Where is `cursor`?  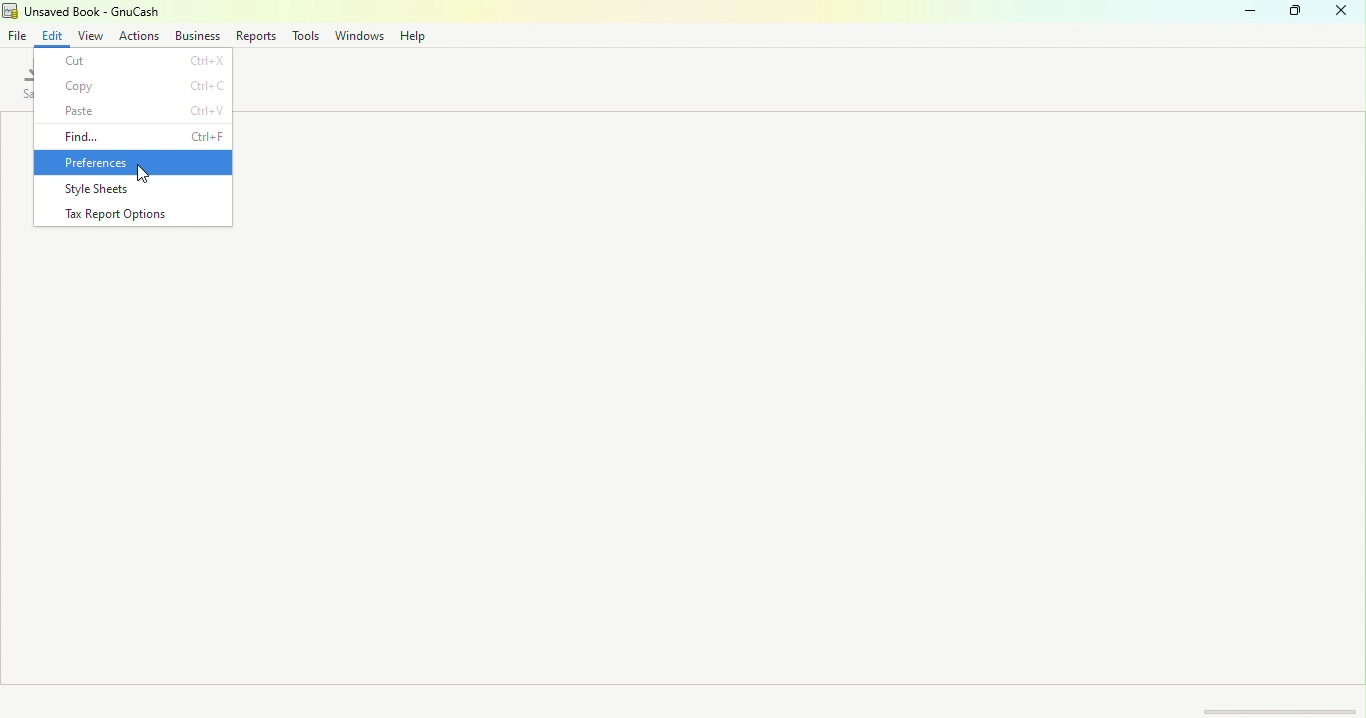 cursor is located at coordinates (142, 174).